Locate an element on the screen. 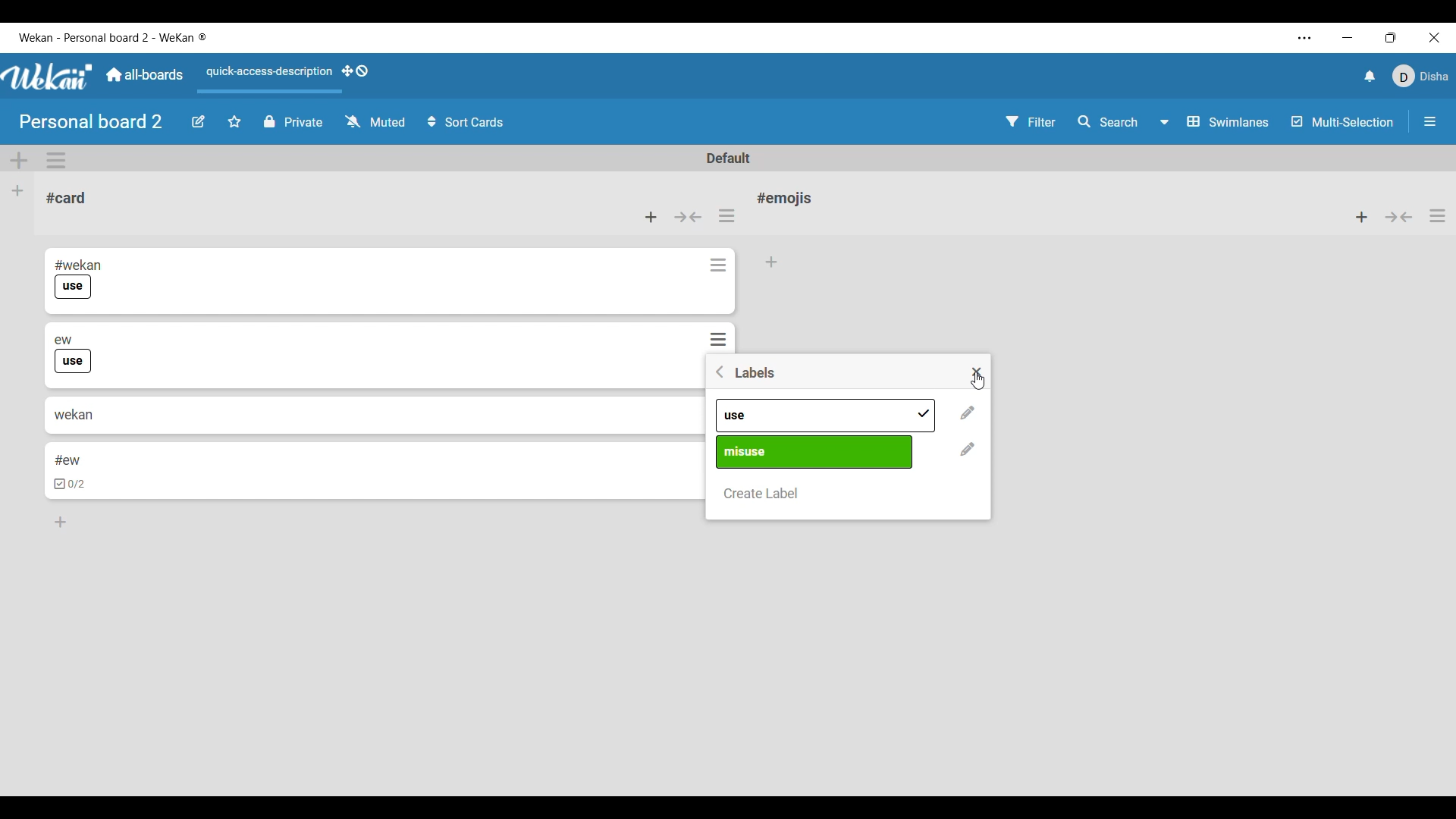 Image resolution: width=1456 pixels, height=819 pixels. Change name and color of respective label is located at coordinates (968, 412).